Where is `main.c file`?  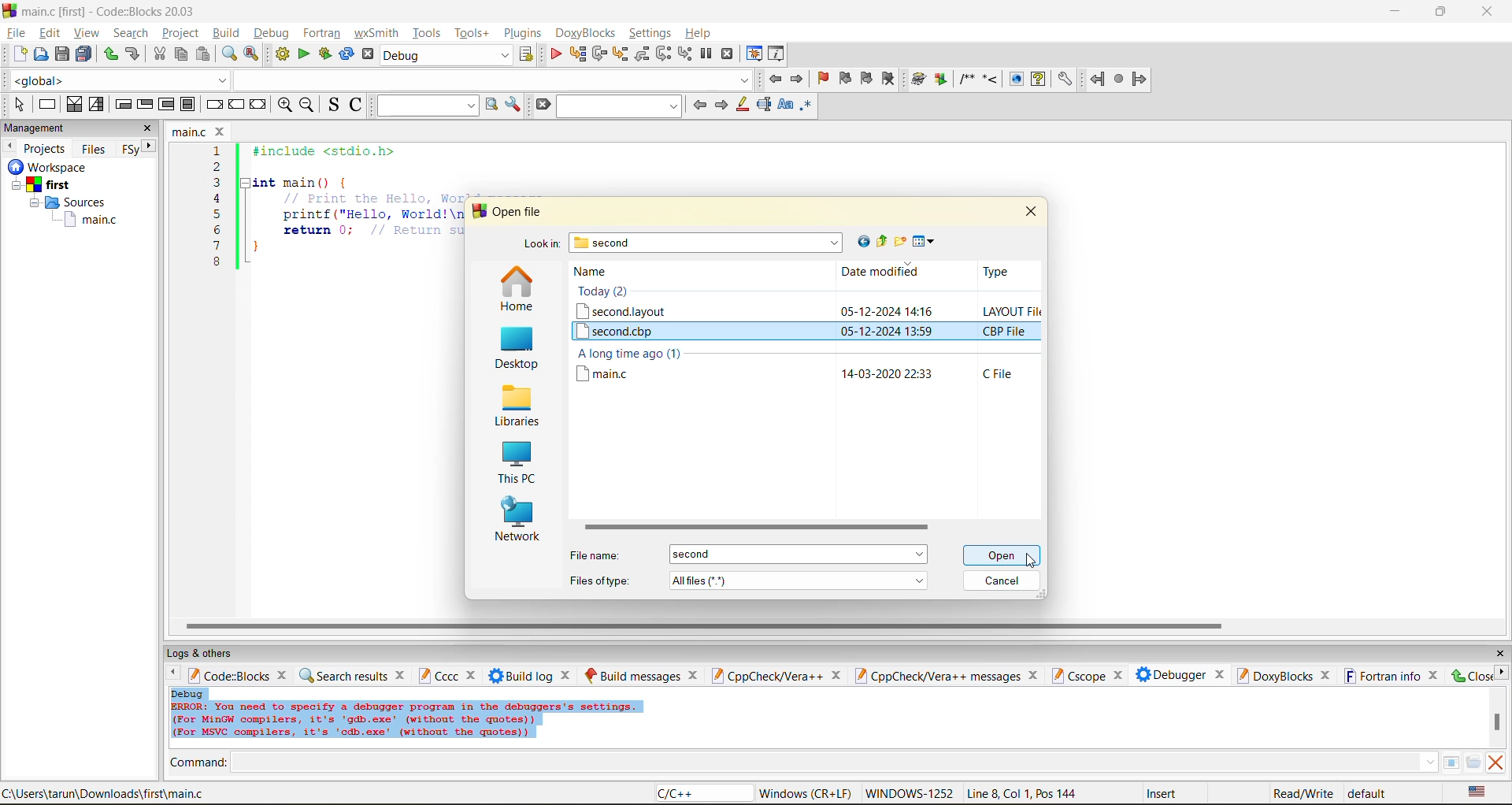
main.c file is located at coordinates (91, 221).